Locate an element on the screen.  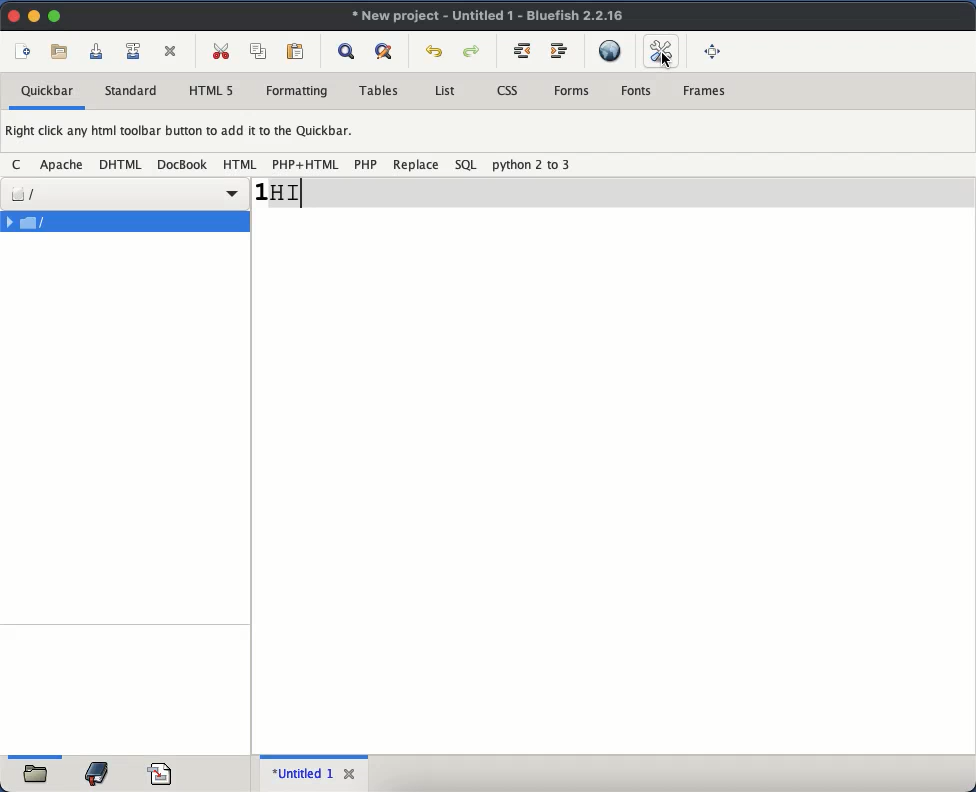
save file as is located at coordinates (135, 49).